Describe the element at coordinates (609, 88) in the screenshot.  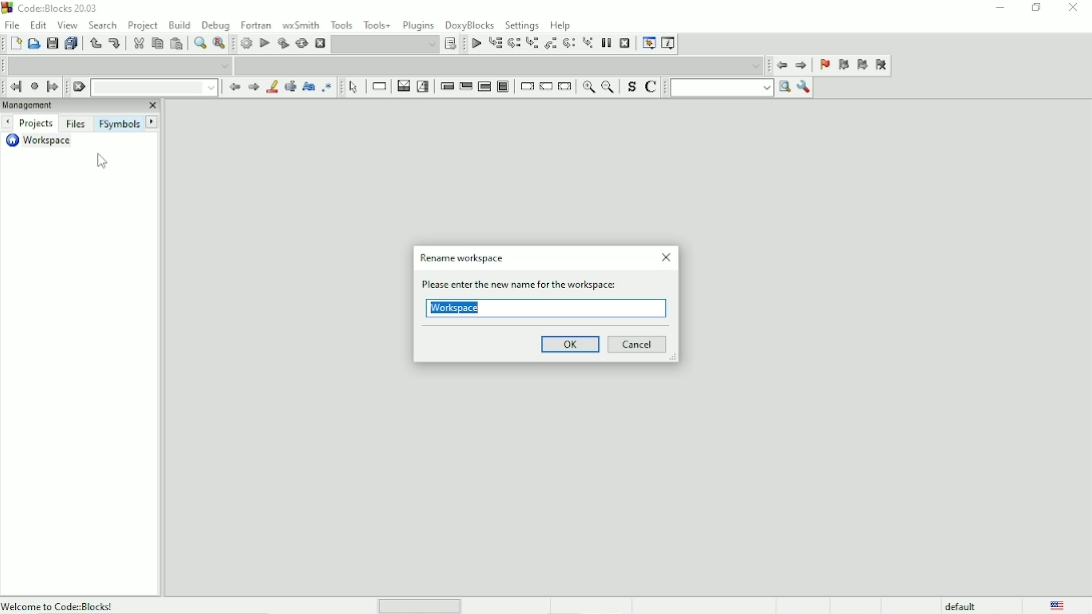
I see `Zoom out` at that location.